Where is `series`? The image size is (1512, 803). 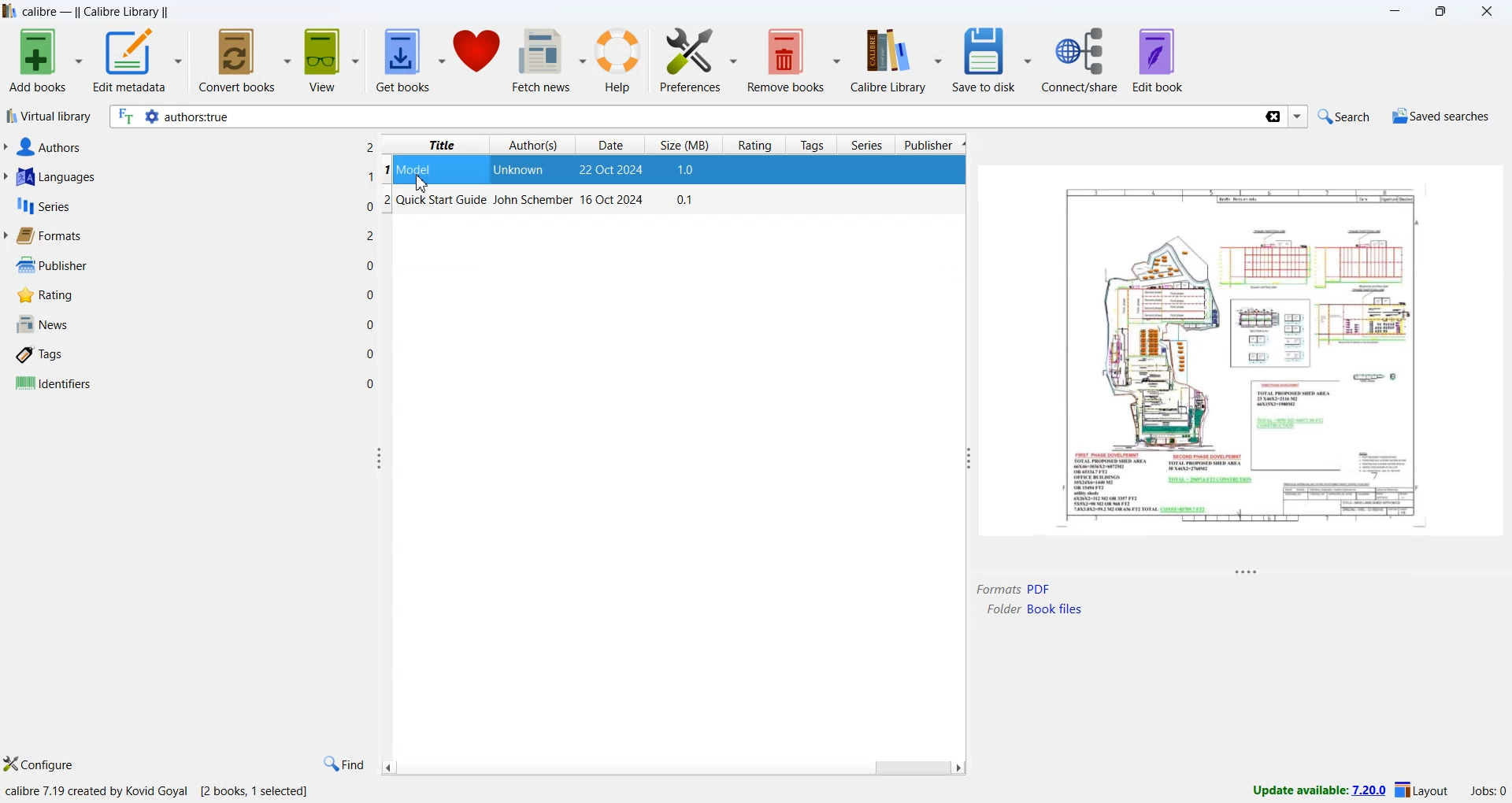
series is located at coordinates (42, 209).